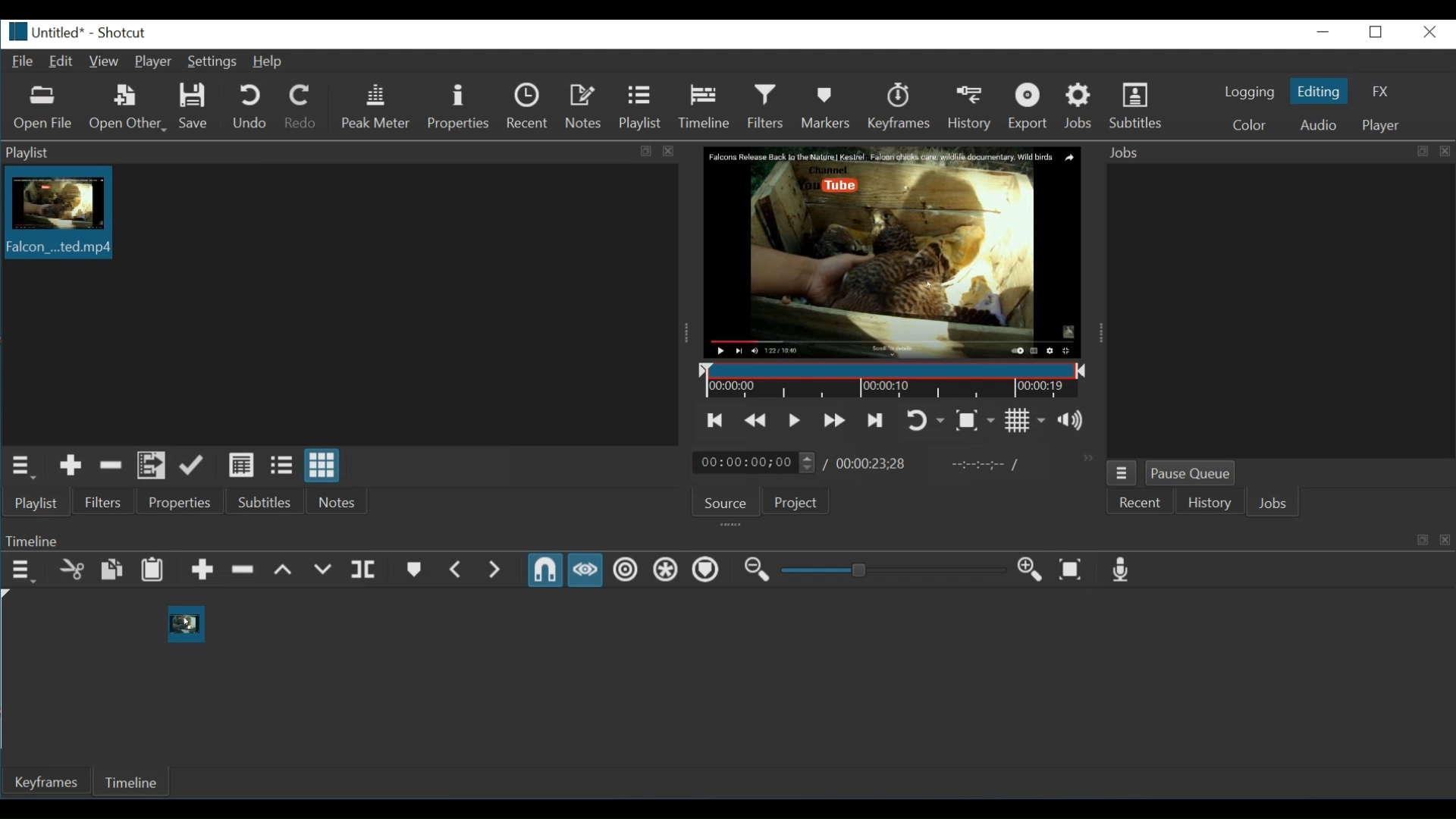 This screenshot has width=1456, height=819. Describe the element at coordinates (766, 106) in the screenshot. I see `Filters` at that location.